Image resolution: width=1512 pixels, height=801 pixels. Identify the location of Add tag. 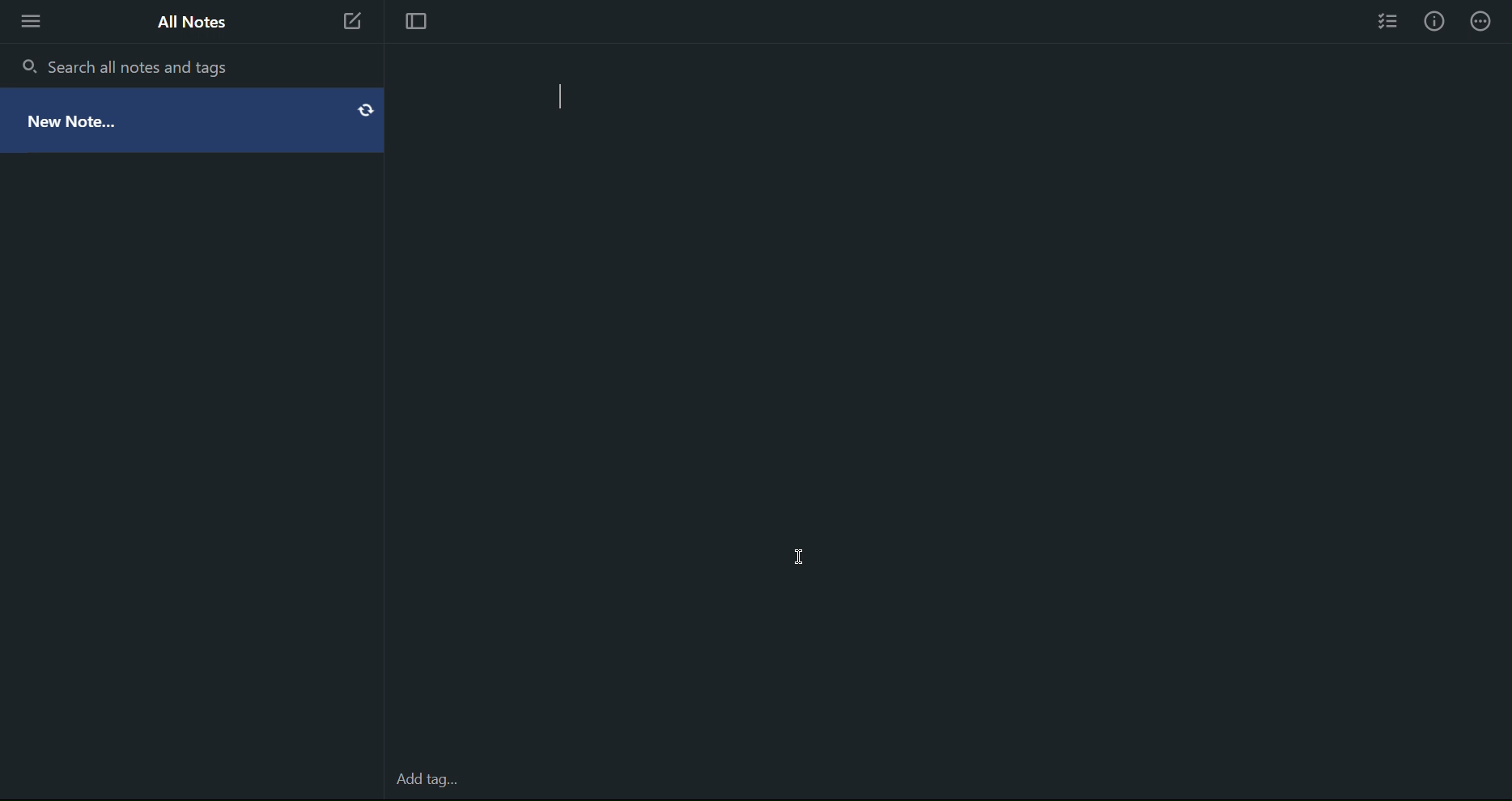
(431, 783).